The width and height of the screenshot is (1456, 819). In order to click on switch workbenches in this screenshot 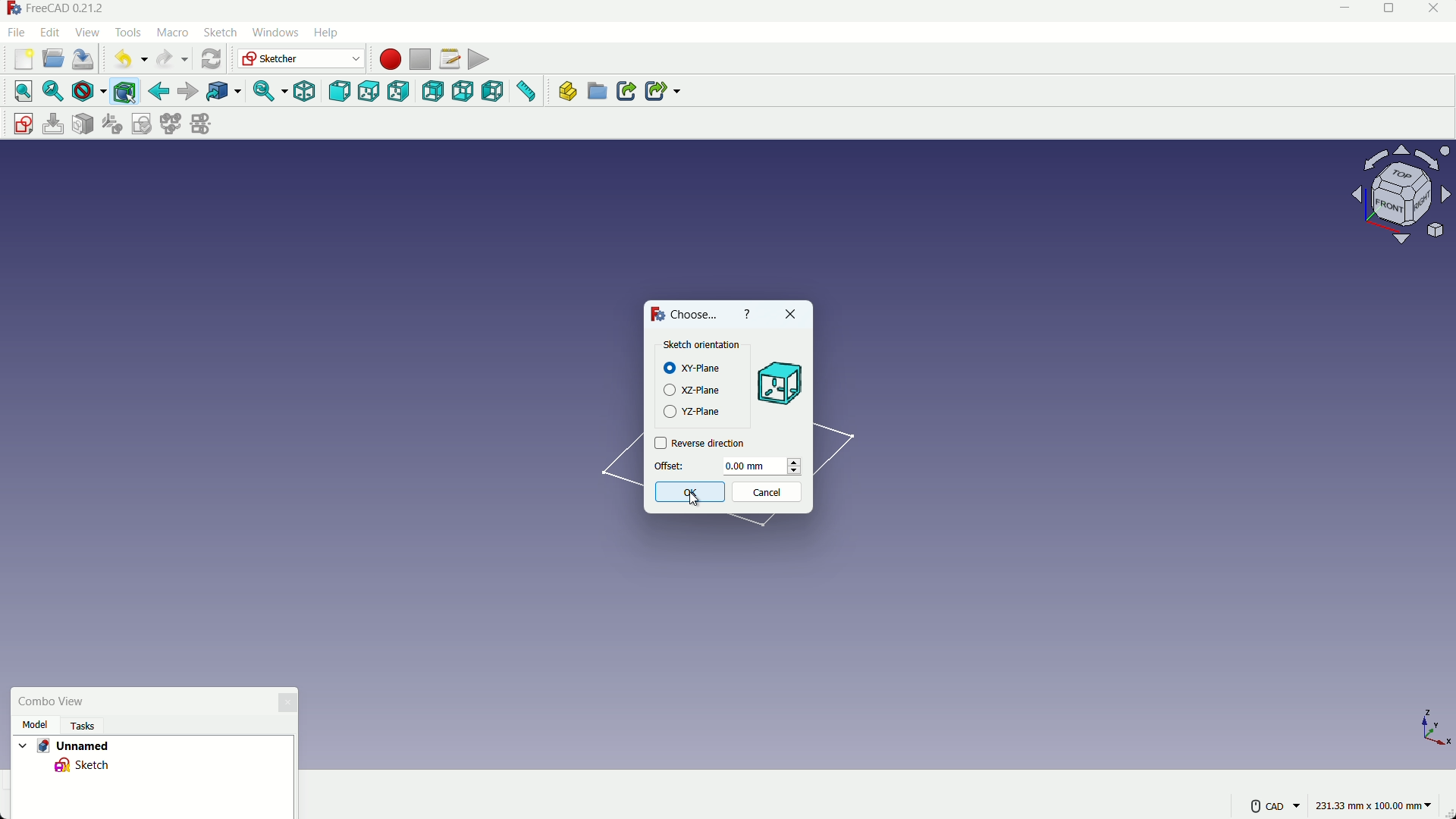, I will do `click(300, 58)`.